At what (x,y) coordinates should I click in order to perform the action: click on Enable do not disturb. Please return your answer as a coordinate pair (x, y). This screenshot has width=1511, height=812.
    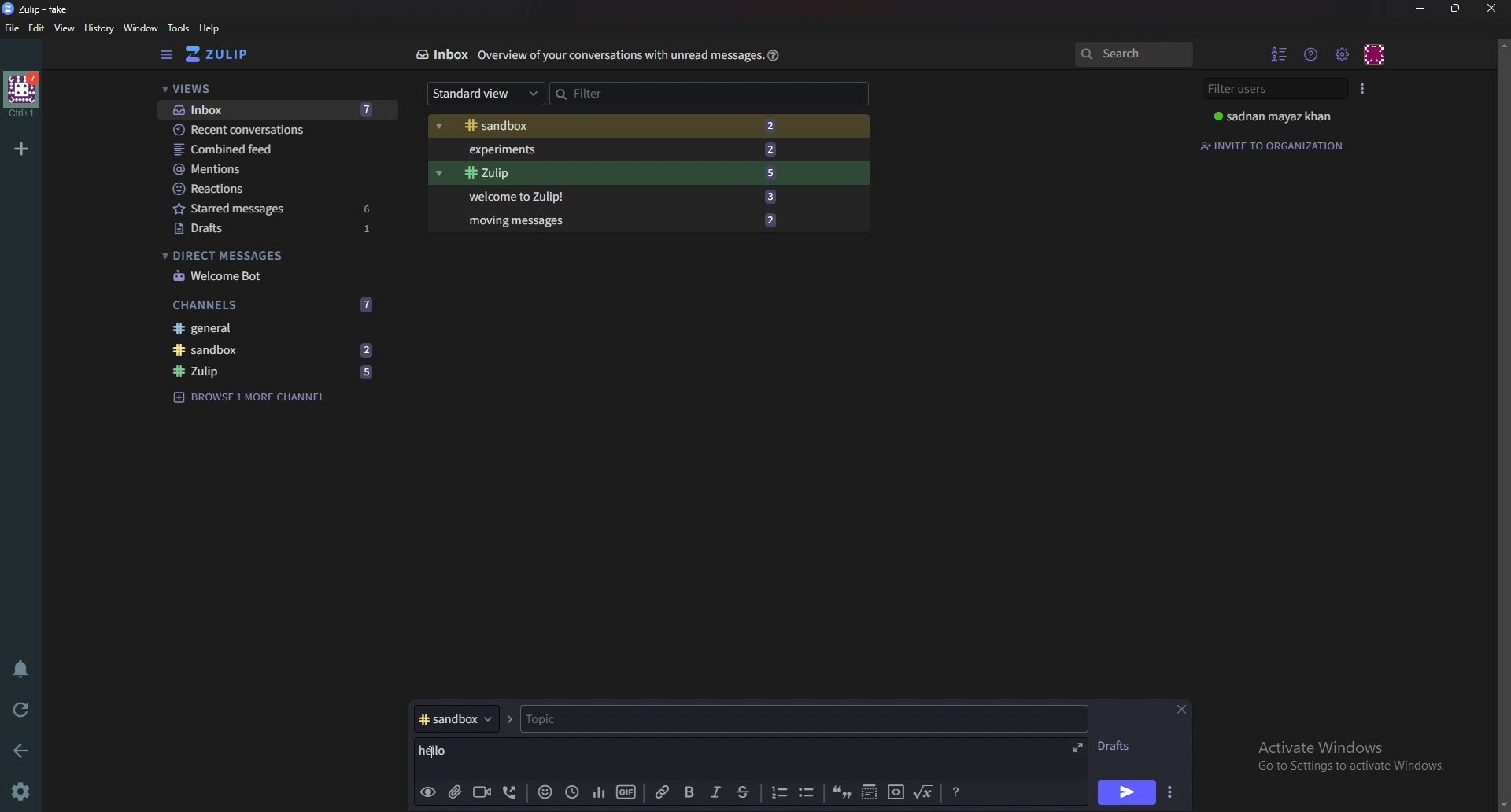
    Looking at the image, I should click on (21, 668).